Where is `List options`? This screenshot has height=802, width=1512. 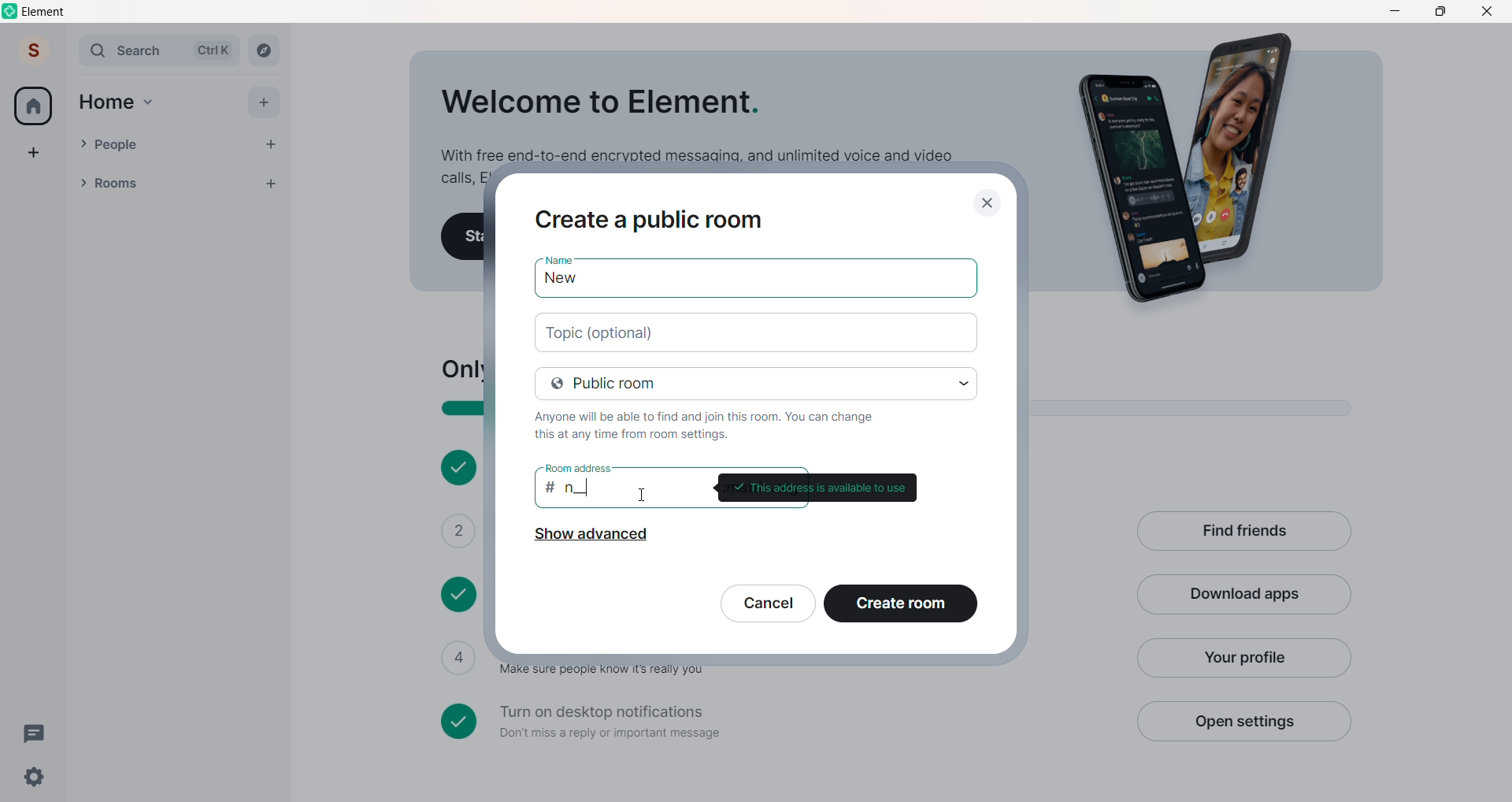
List options is located at coordinates (239, 184).